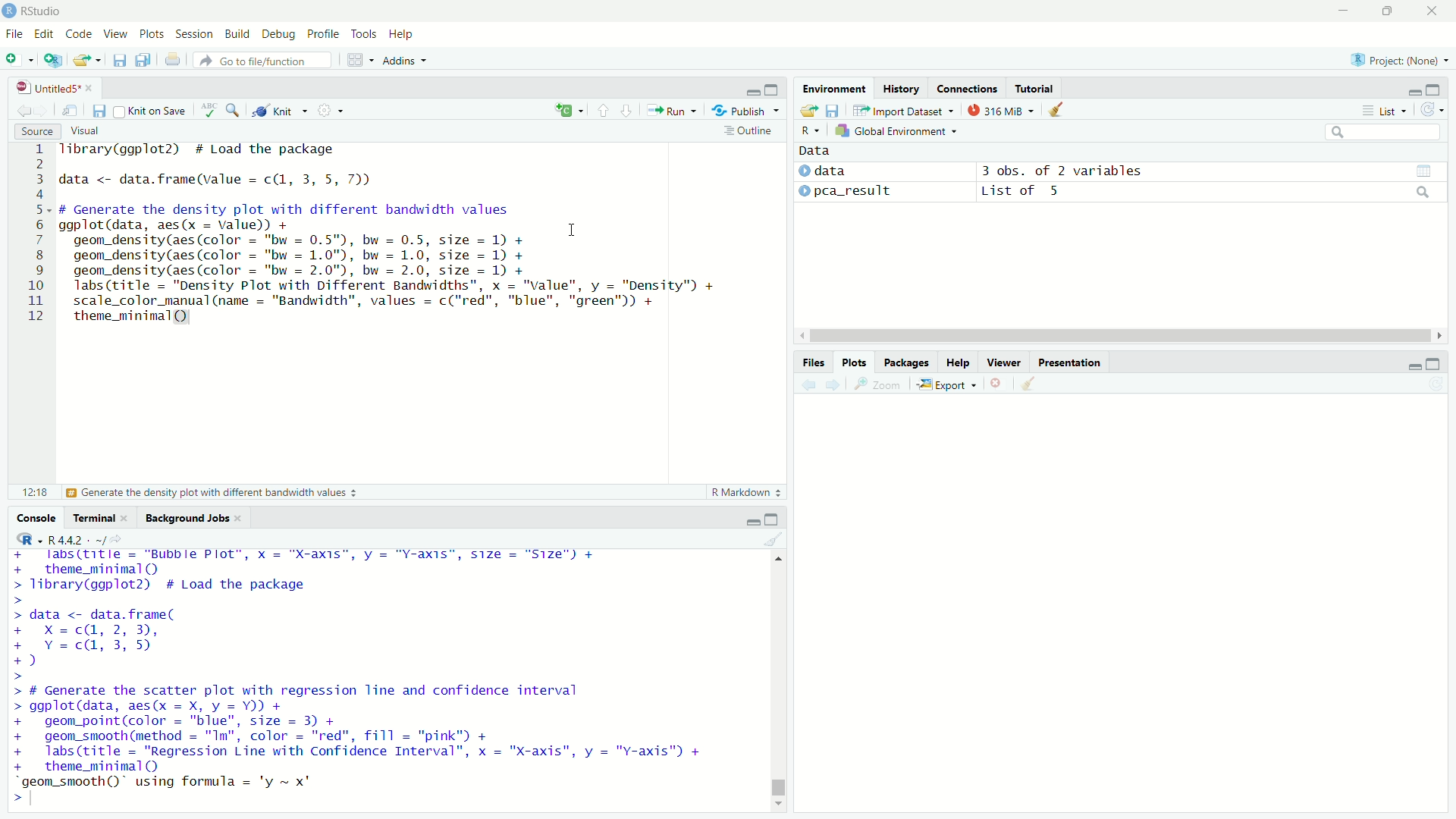 The height and width of the screenshot is (819, 1456). Describe the element at coordinates (1034, 88) in the screenshot. I see `Tutorial` at that location.